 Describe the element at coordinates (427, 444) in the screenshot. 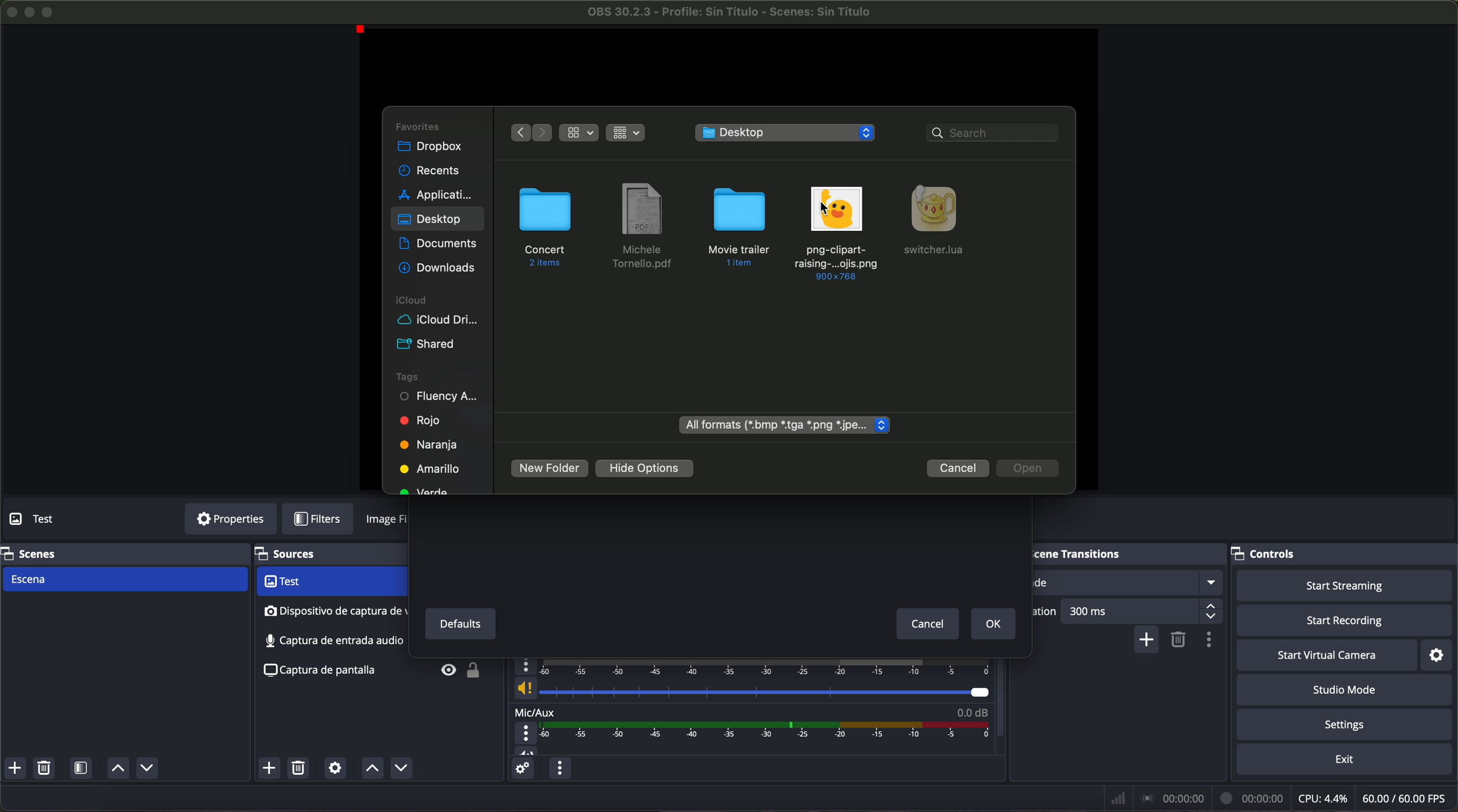

I see `orange` at that location.